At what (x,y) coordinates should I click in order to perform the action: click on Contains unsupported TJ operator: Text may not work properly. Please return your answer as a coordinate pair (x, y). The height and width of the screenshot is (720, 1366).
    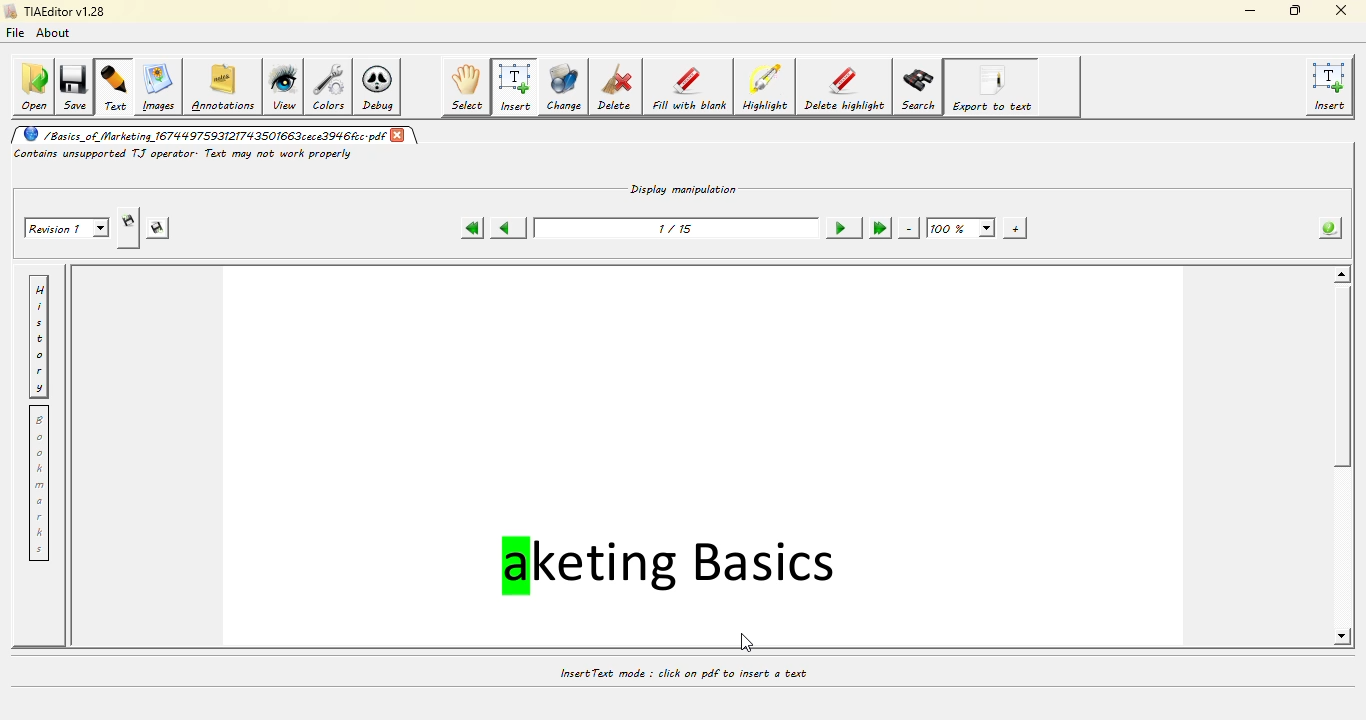
    Looking at the image, I should click on (184, 154).